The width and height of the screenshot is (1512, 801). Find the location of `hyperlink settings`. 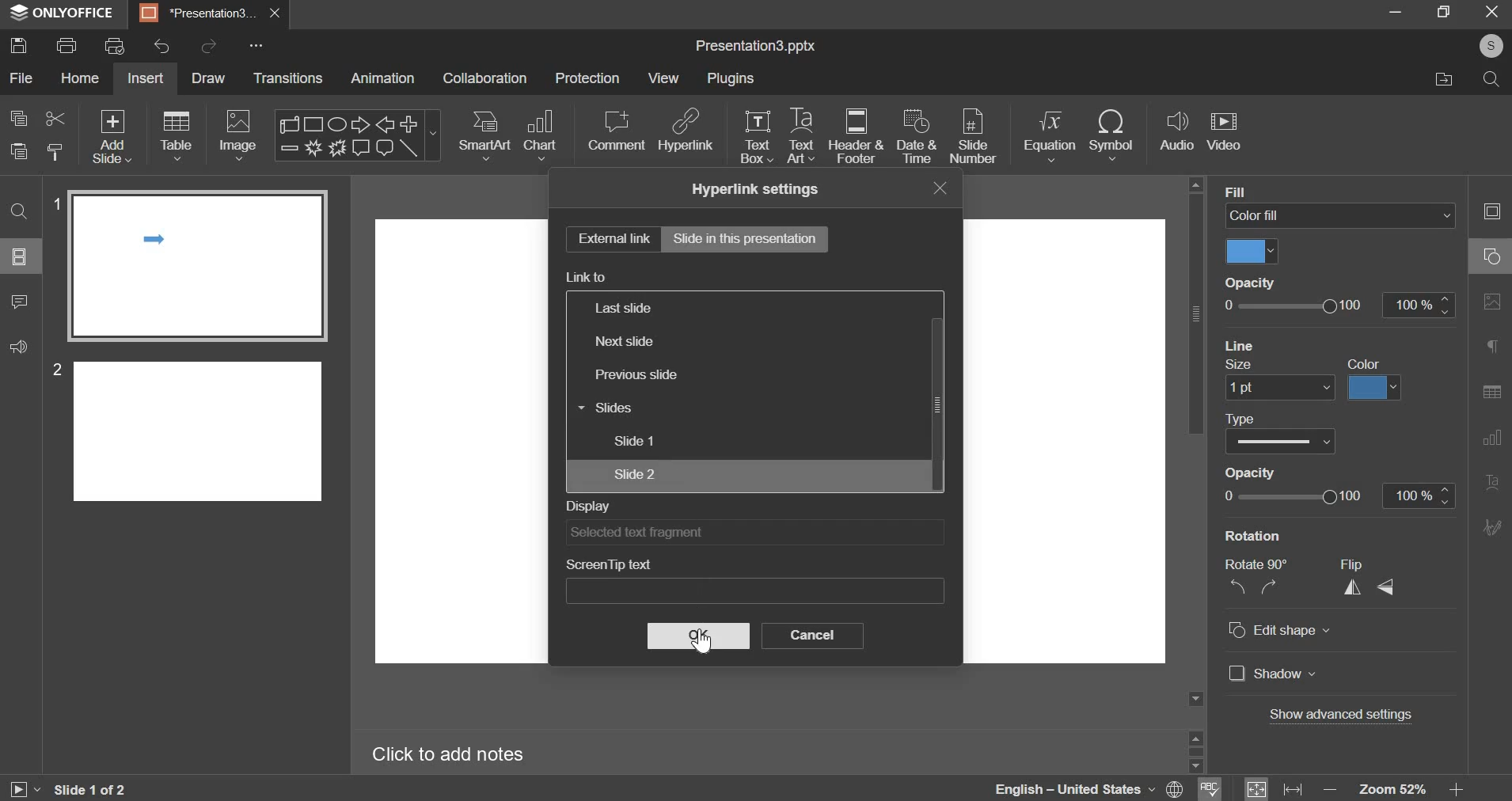

hyperlink settings is located at coordinates (754, 189).